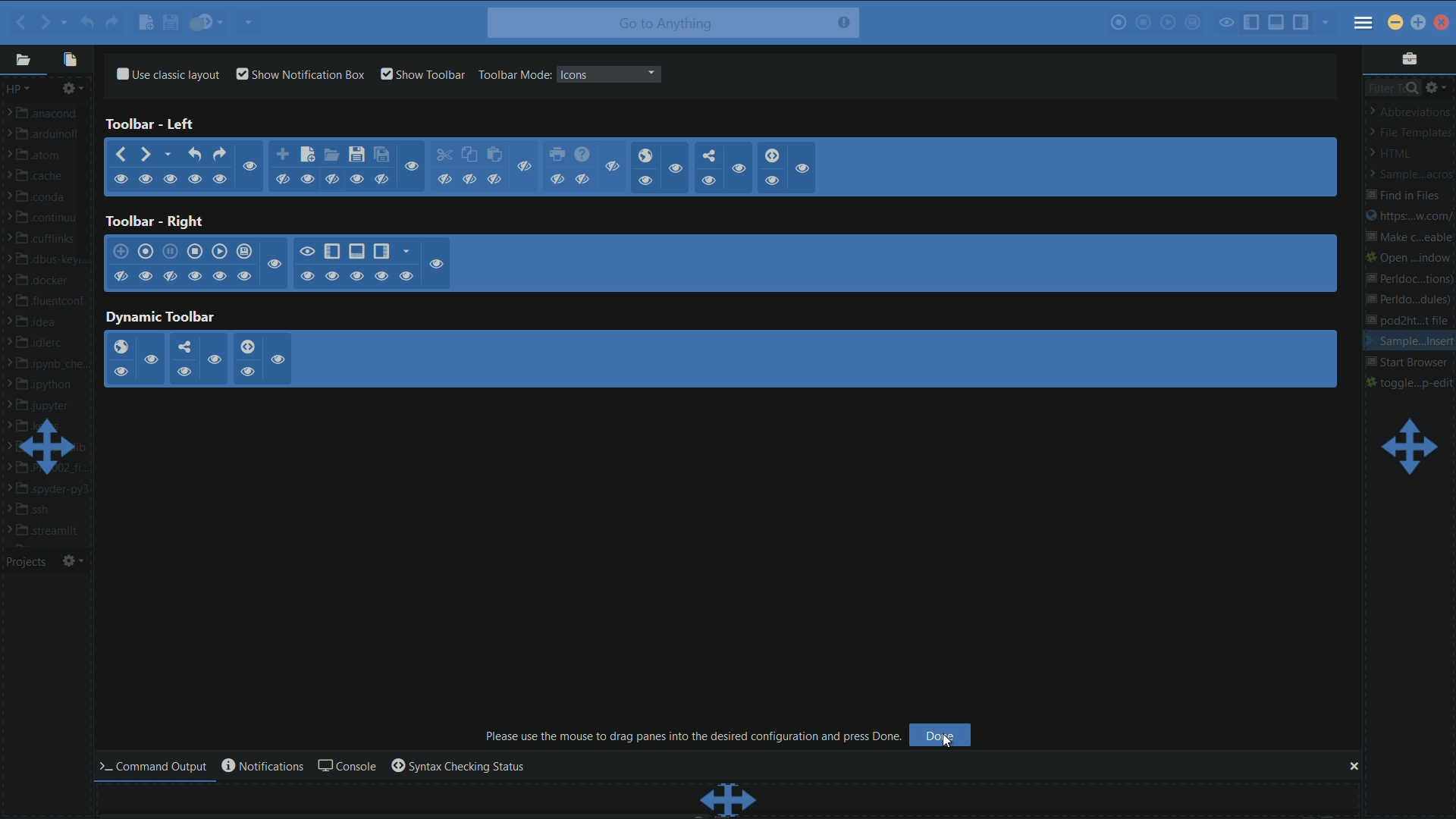 The image size is (1456, 819). Describe the element at coordinates (334, 276) in the screenshot. I see `hide/show` at that location.